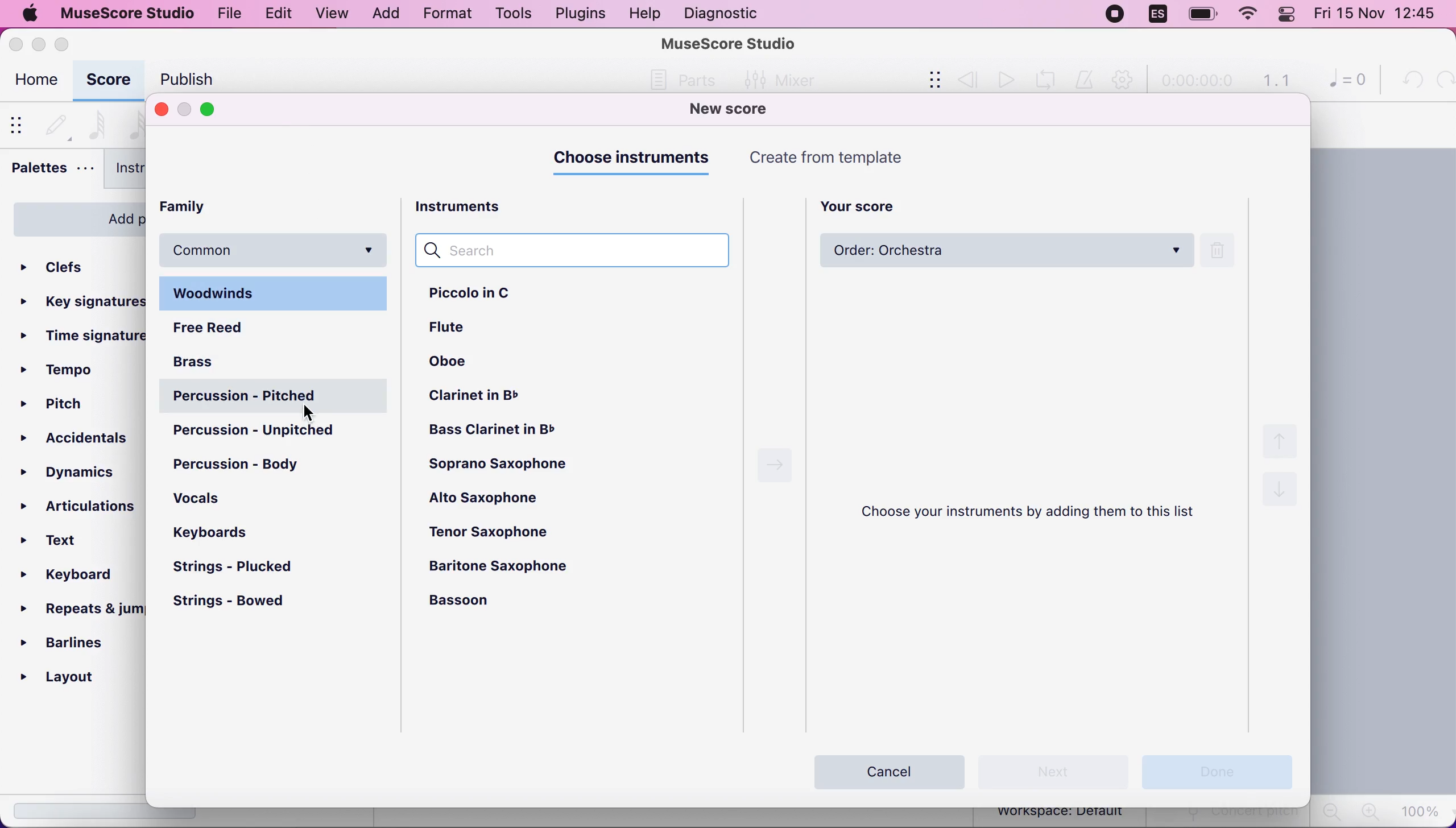 Image resolution: width=1456 pixels, height=828 pixels. I want to click on palettes, so click(51, 171).